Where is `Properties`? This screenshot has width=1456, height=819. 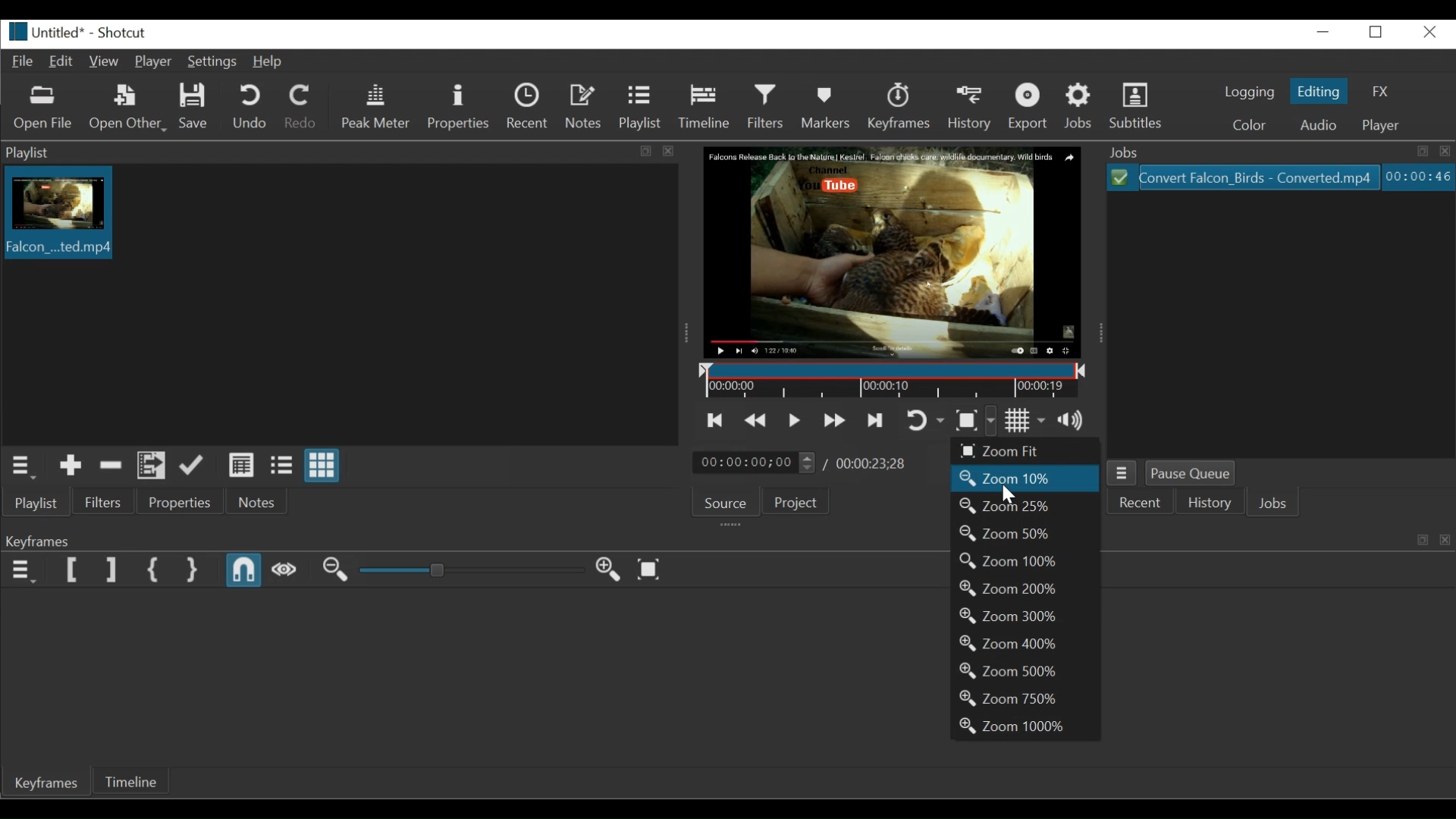 Properties is located at coordinates (459, 106).